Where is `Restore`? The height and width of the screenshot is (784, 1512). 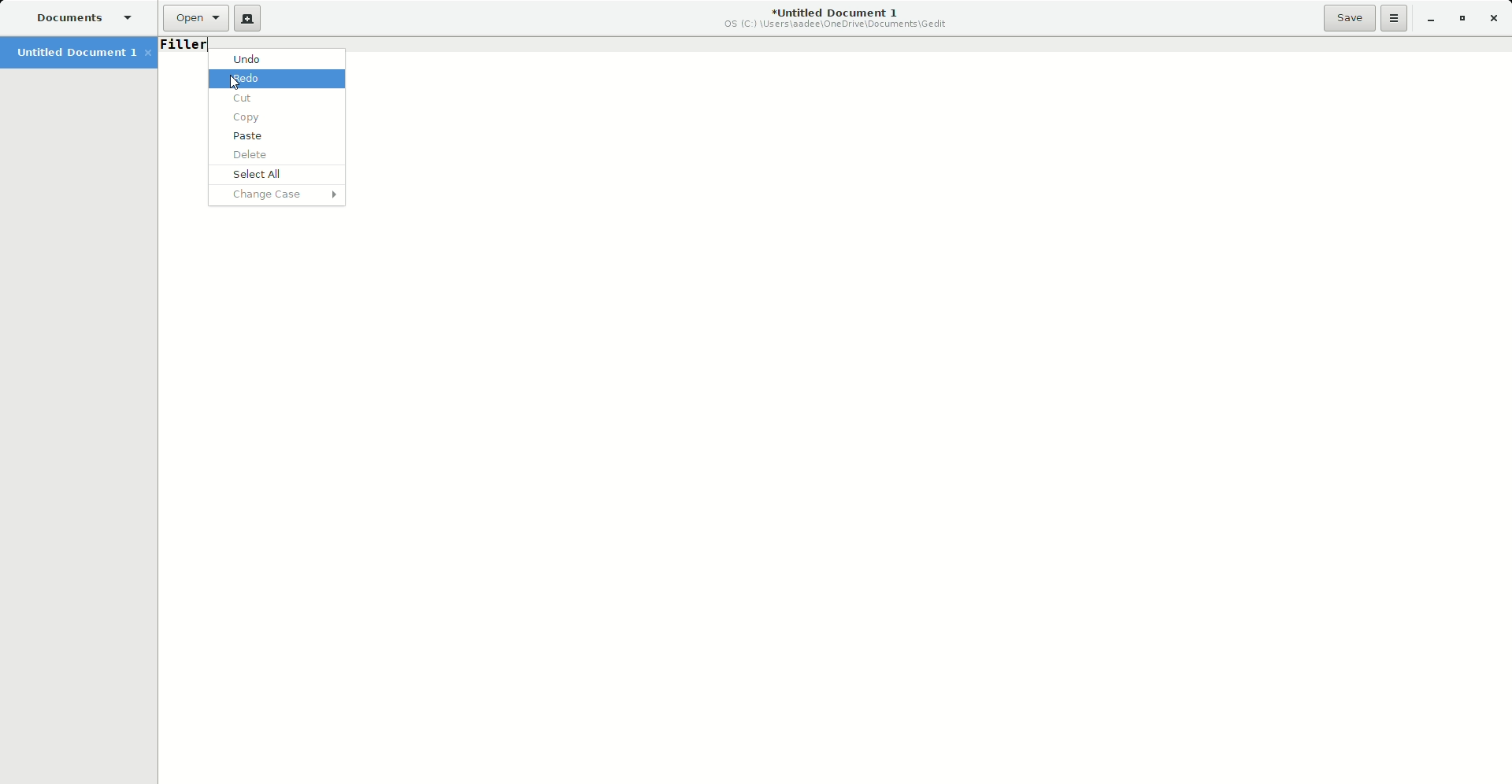
Restore is located at coordinates (1460, 20).